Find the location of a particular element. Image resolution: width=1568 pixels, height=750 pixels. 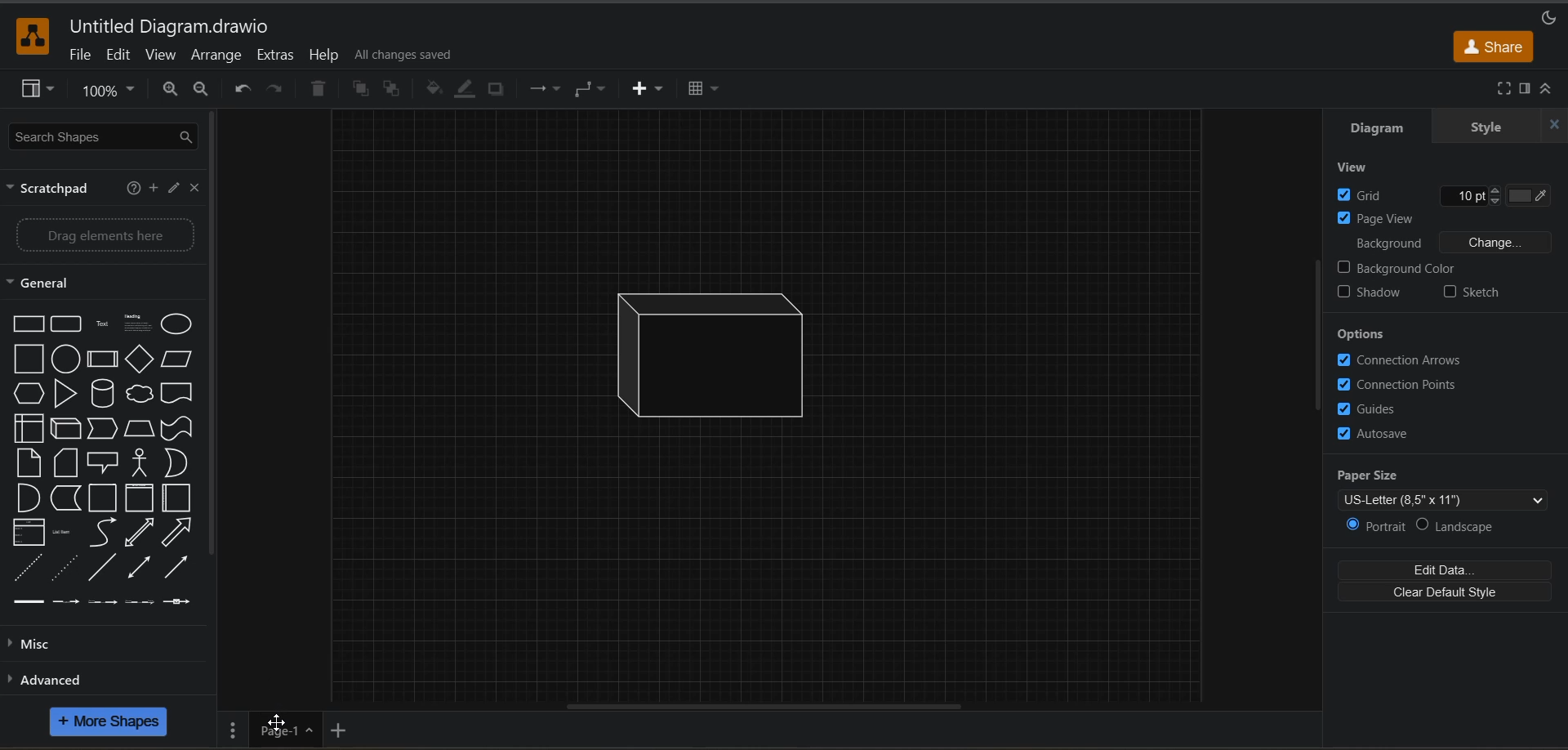

help is located at coordinates (326, 57).